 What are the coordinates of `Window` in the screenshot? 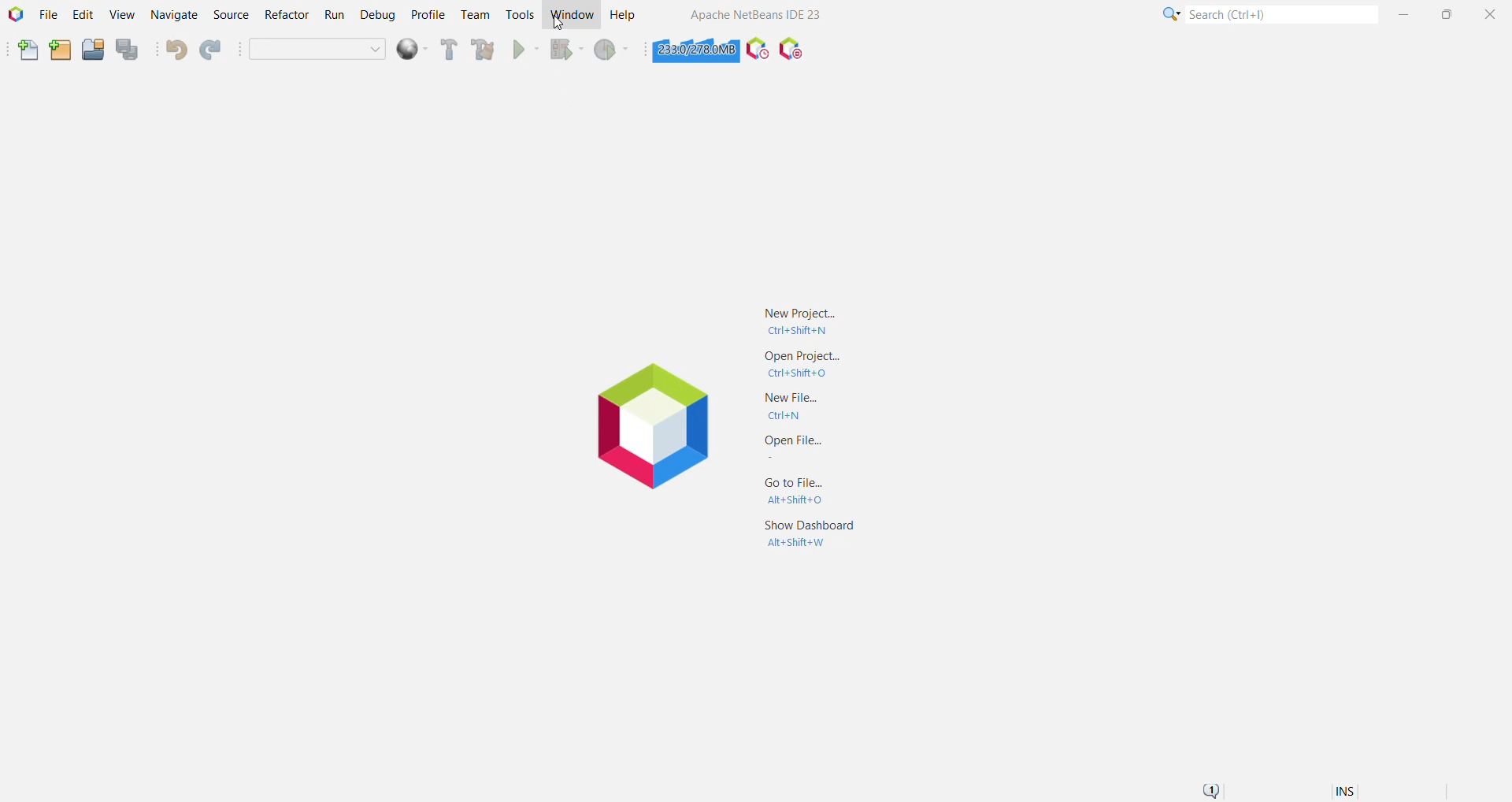 It's located at (569, 15).